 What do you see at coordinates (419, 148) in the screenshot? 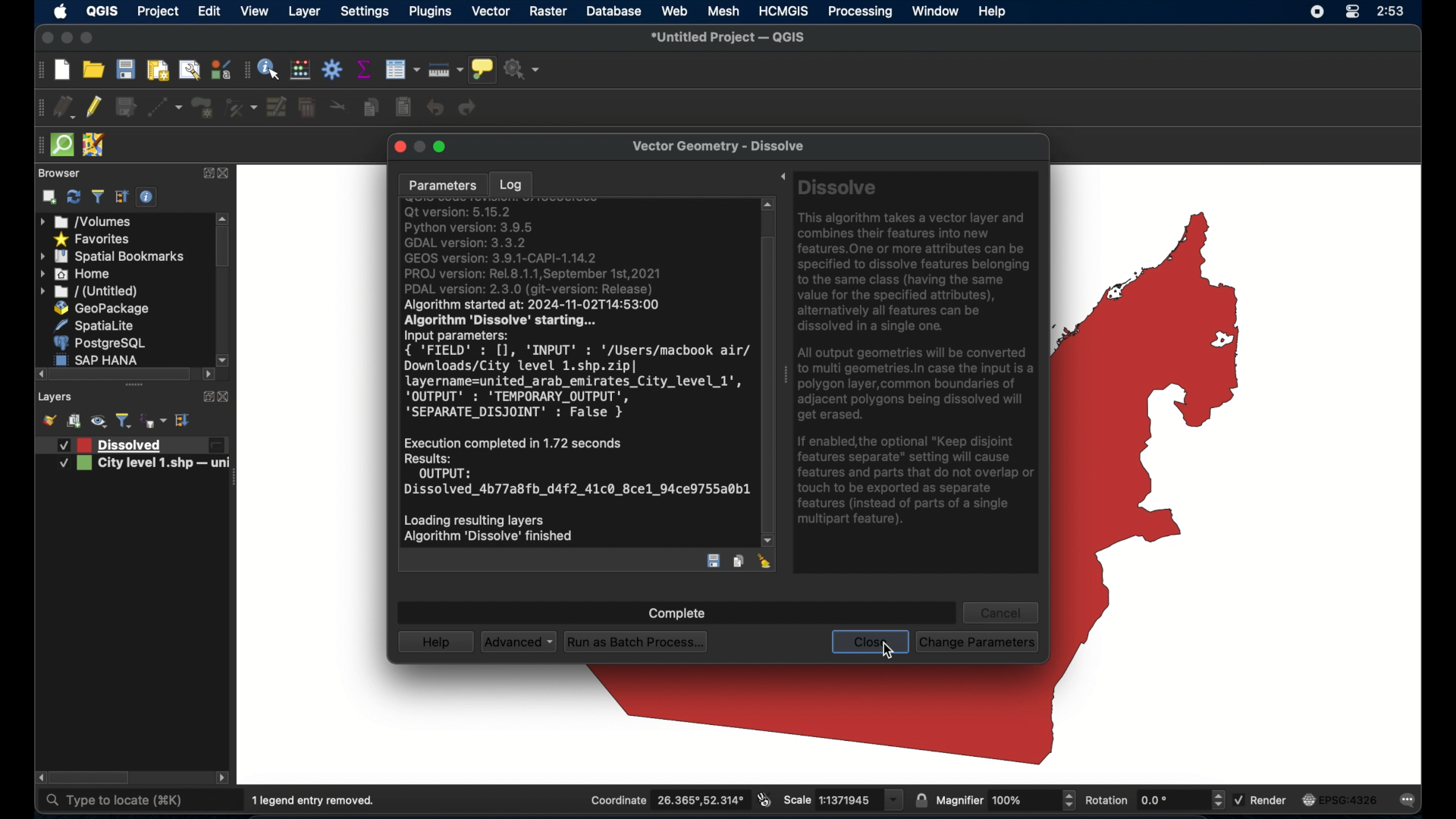
I see `inactive minimize button` at bounding box center [419, 148].